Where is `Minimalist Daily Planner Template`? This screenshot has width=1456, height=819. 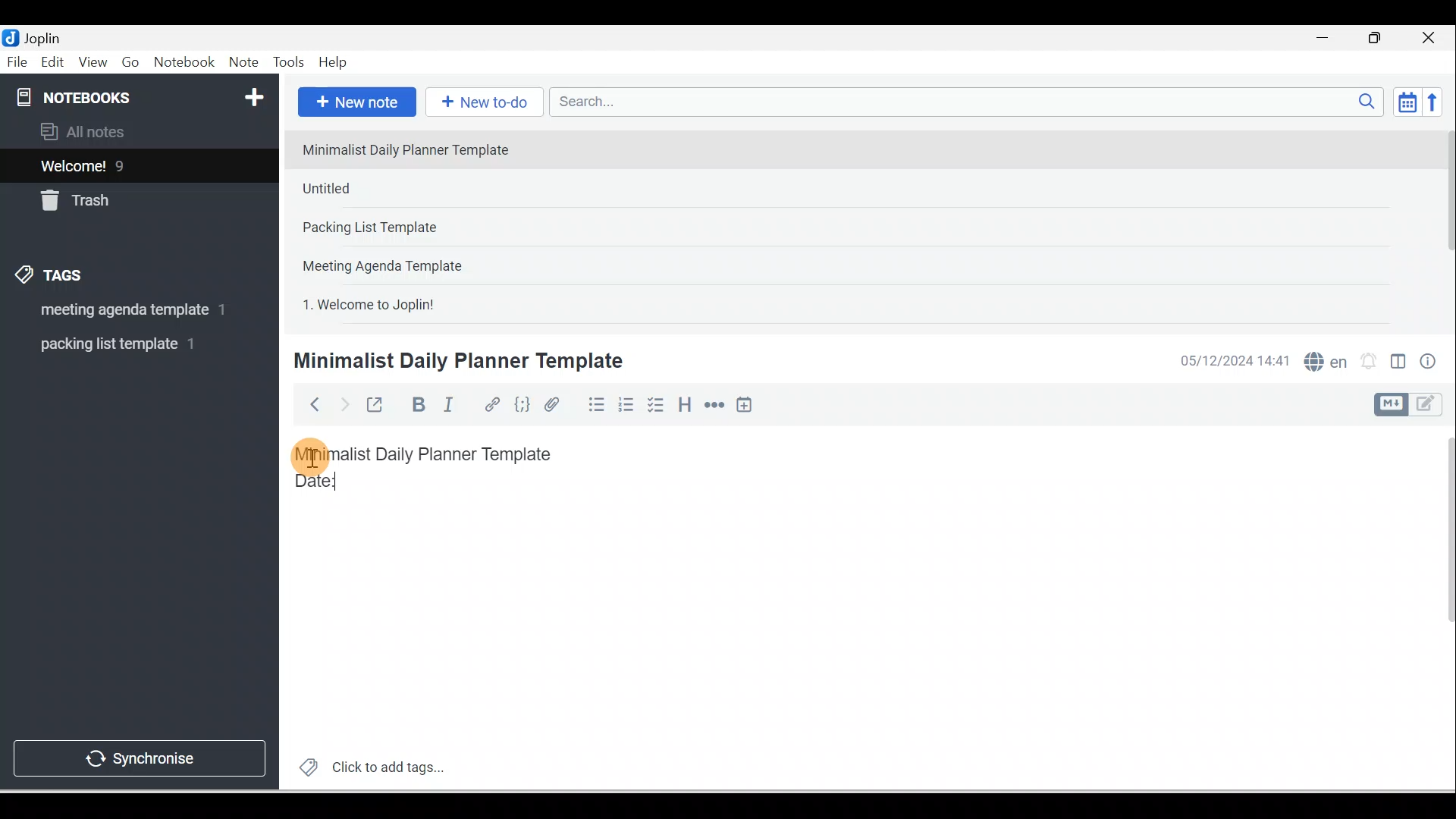
Minimalist Daily Planner Template is located at coordinates (438, 454).